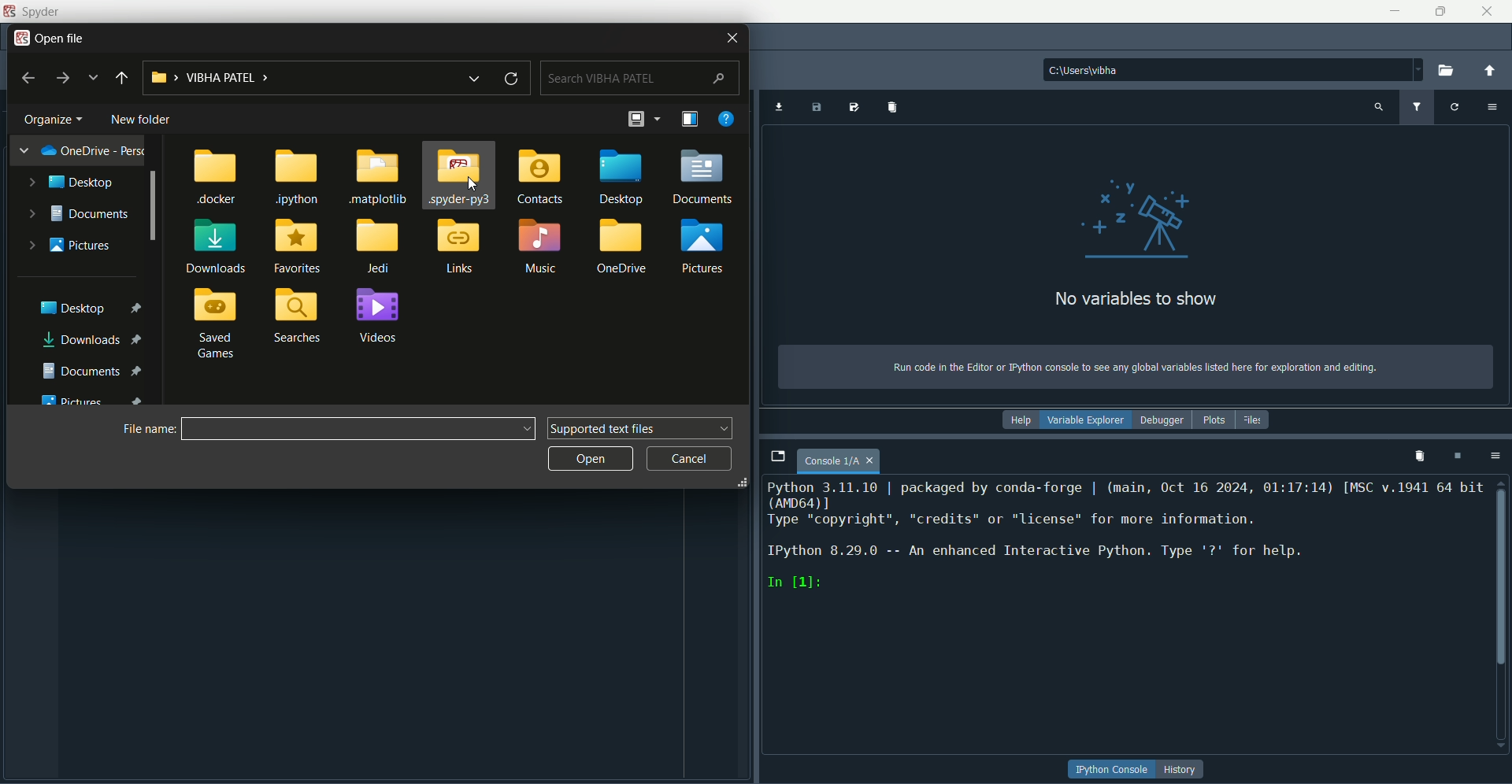  What do you see at coordinates (217, 177) in the screenshot?
I see `folder` at bounding box center [217, 177].